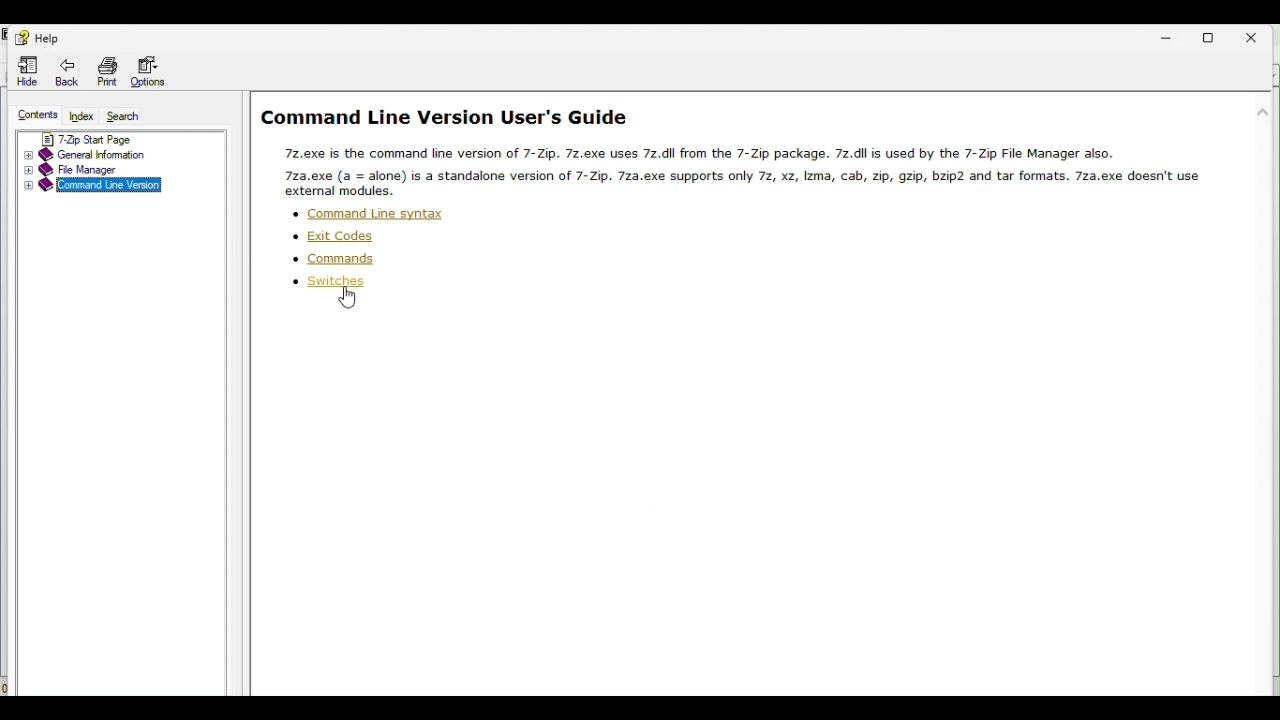 Image resolution: width=1280 pixels, height=720 pixels. What do you see at coordinates (1220, 37) in the screenshot?
I see `Restore` at bounding box center [1220, 37].